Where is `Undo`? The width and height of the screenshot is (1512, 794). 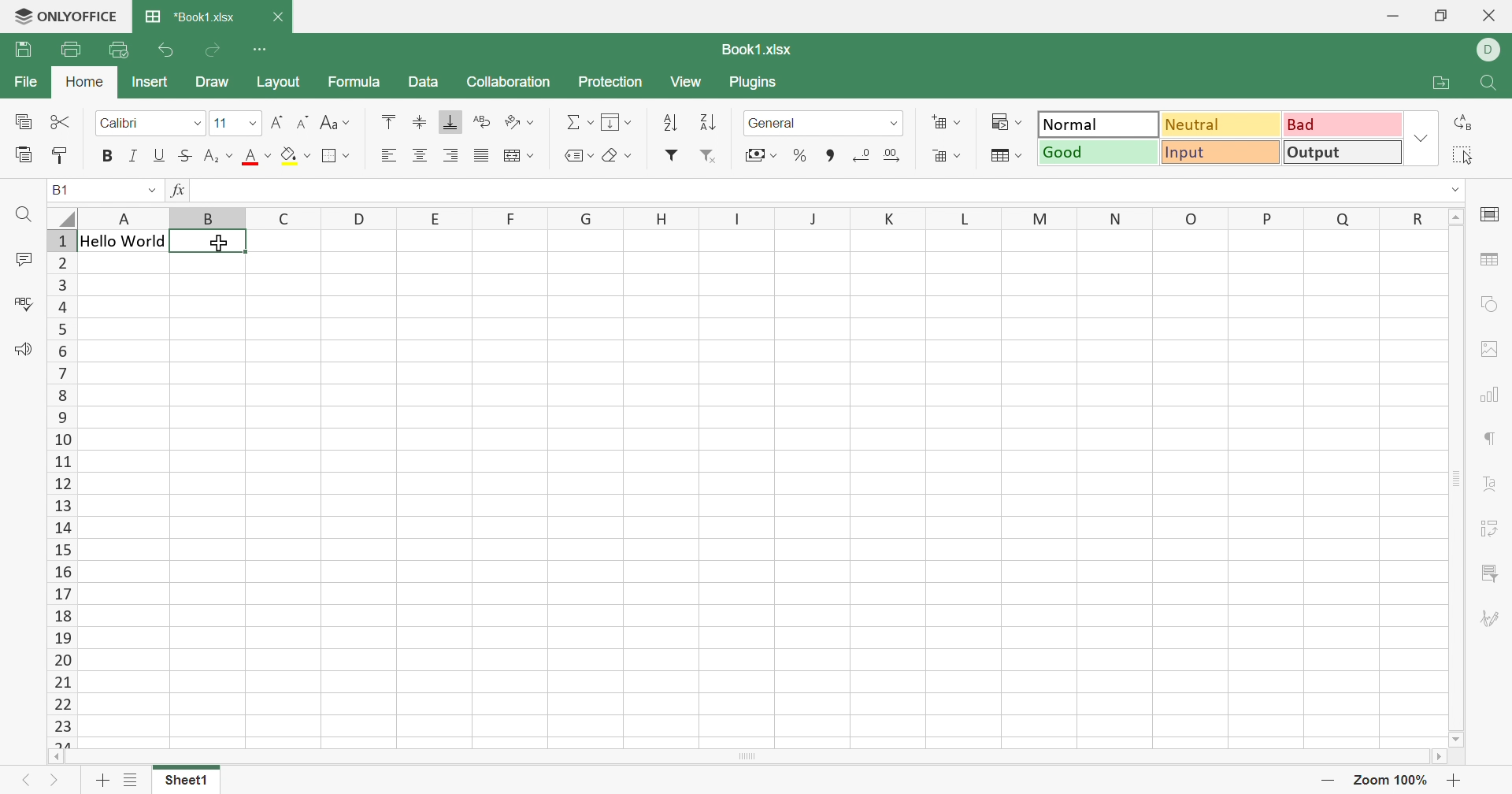
Undo is located at coordinates (165, 52).